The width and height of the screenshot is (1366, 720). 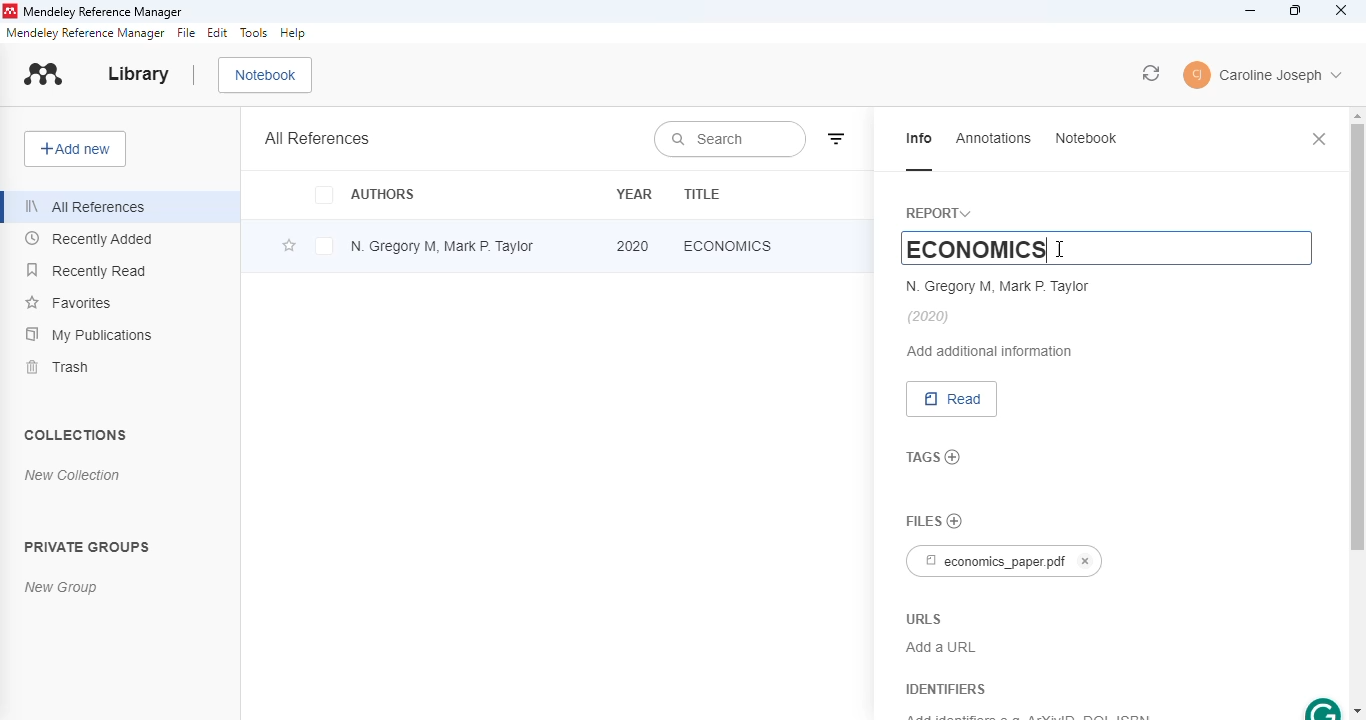 What do you see at coordinates (929, 317) in the screenshot?
I see `(2020)` at bounding box center [929, 317].